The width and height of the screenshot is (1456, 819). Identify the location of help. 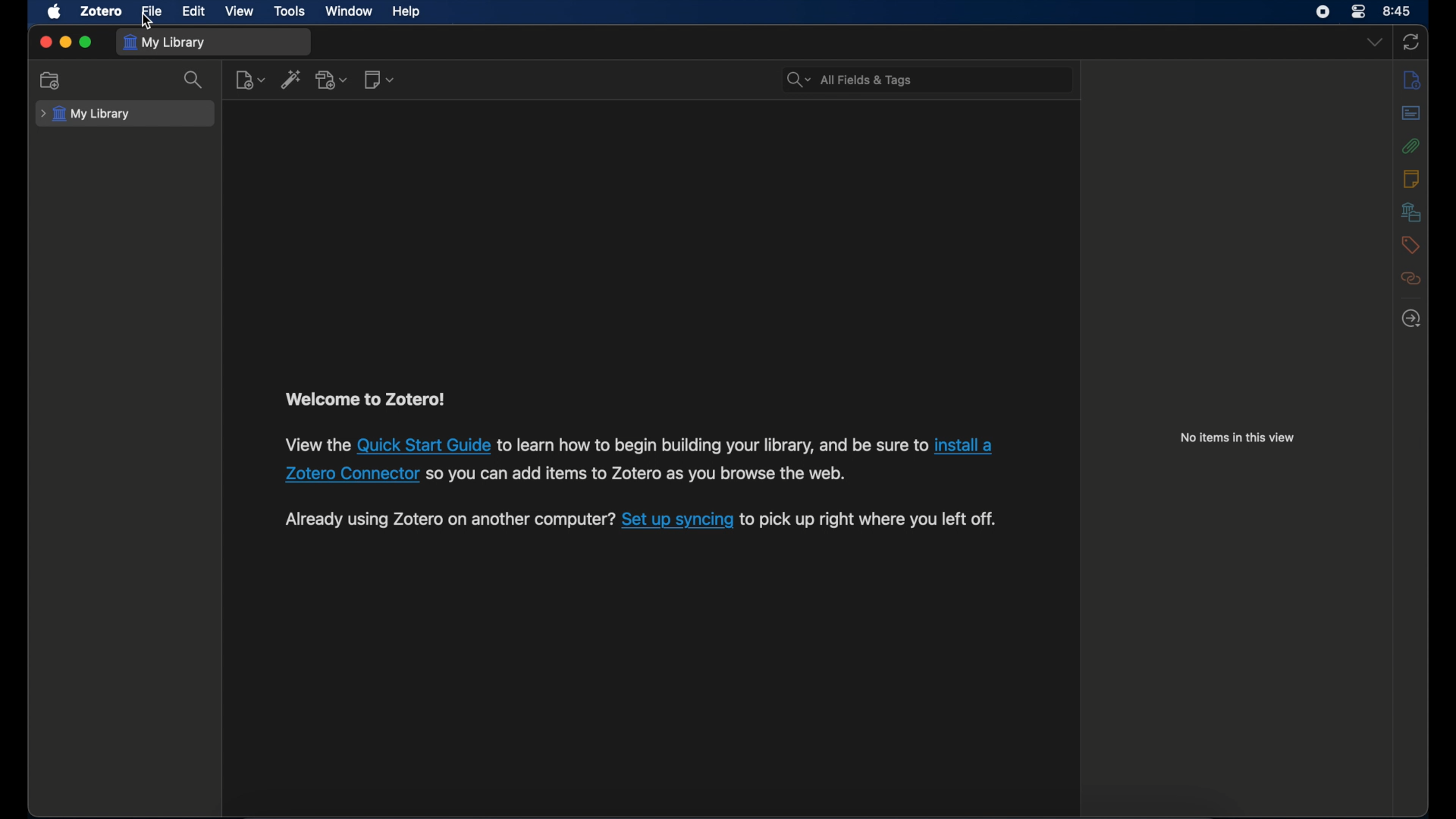
(408, 12).